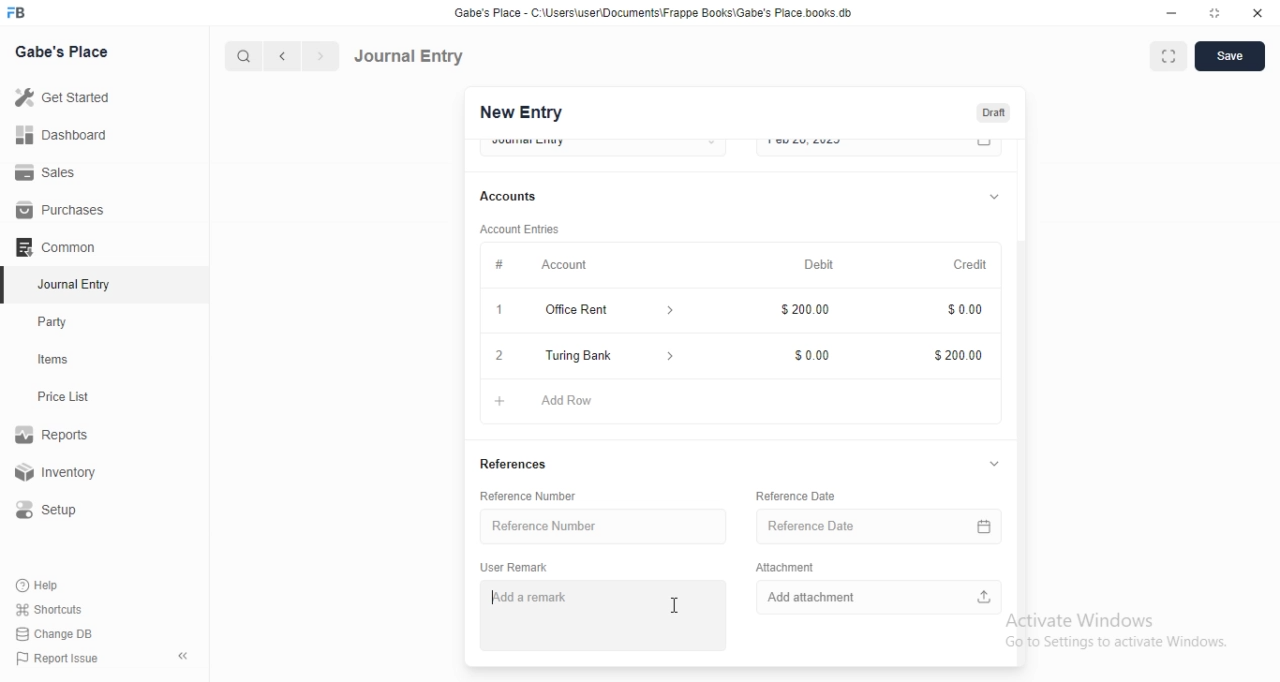 The image size is (1280, 682). What do you see at coordinates (77, 284) in the screenshot?
I see `‘Journal Entry` at bounding box center [77, 284].